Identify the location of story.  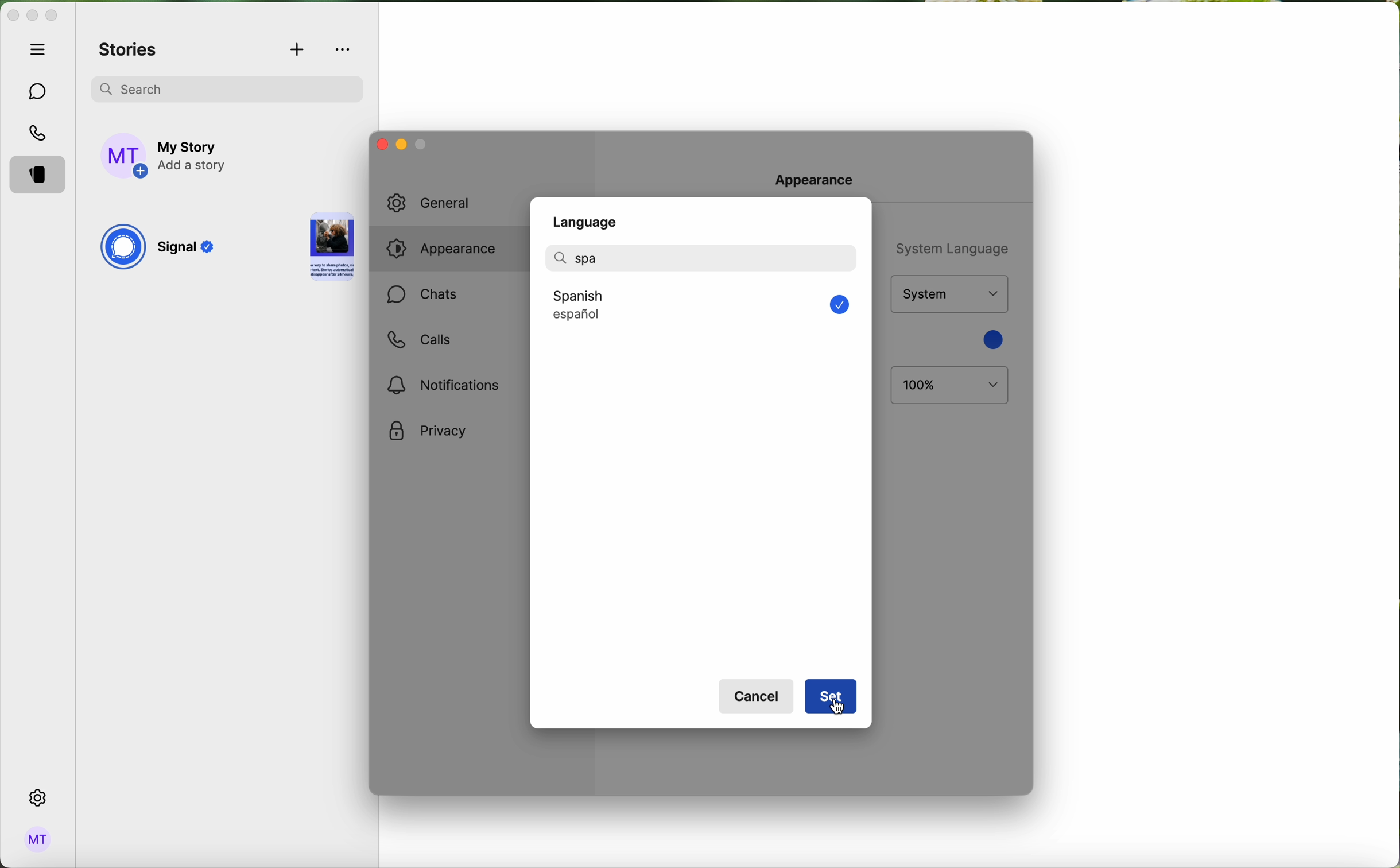
(332, 249).